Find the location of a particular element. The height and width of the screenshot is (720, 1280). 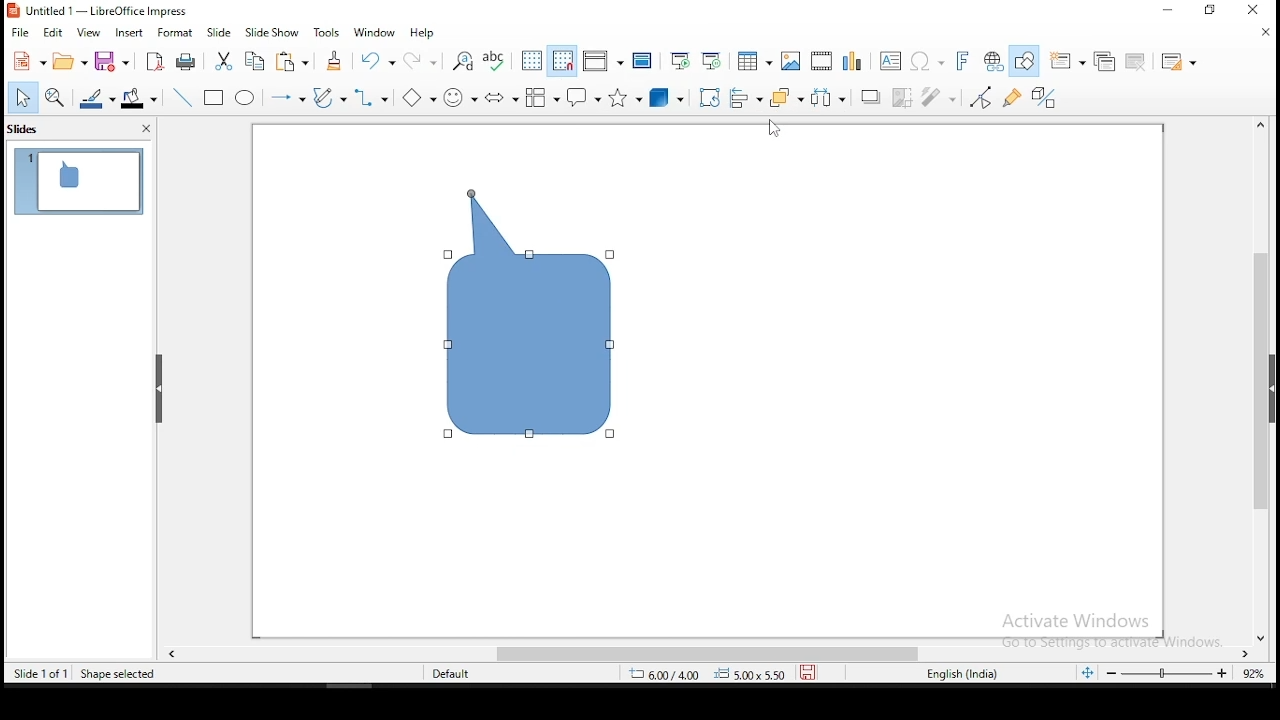

zoom level is located at coordinates (1251, 672).